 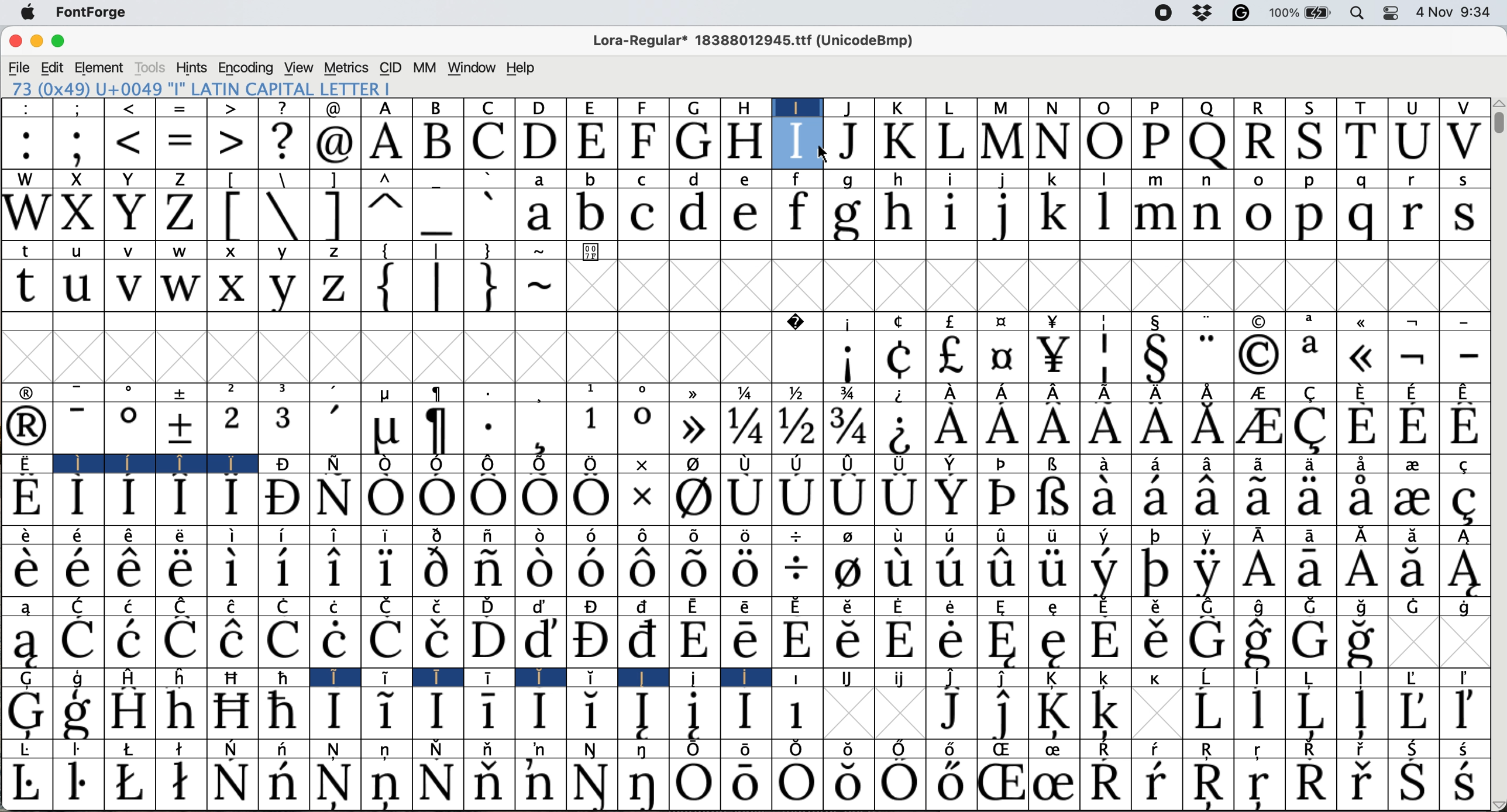 I want to click on Symbol, so click(x=1210, y=605).